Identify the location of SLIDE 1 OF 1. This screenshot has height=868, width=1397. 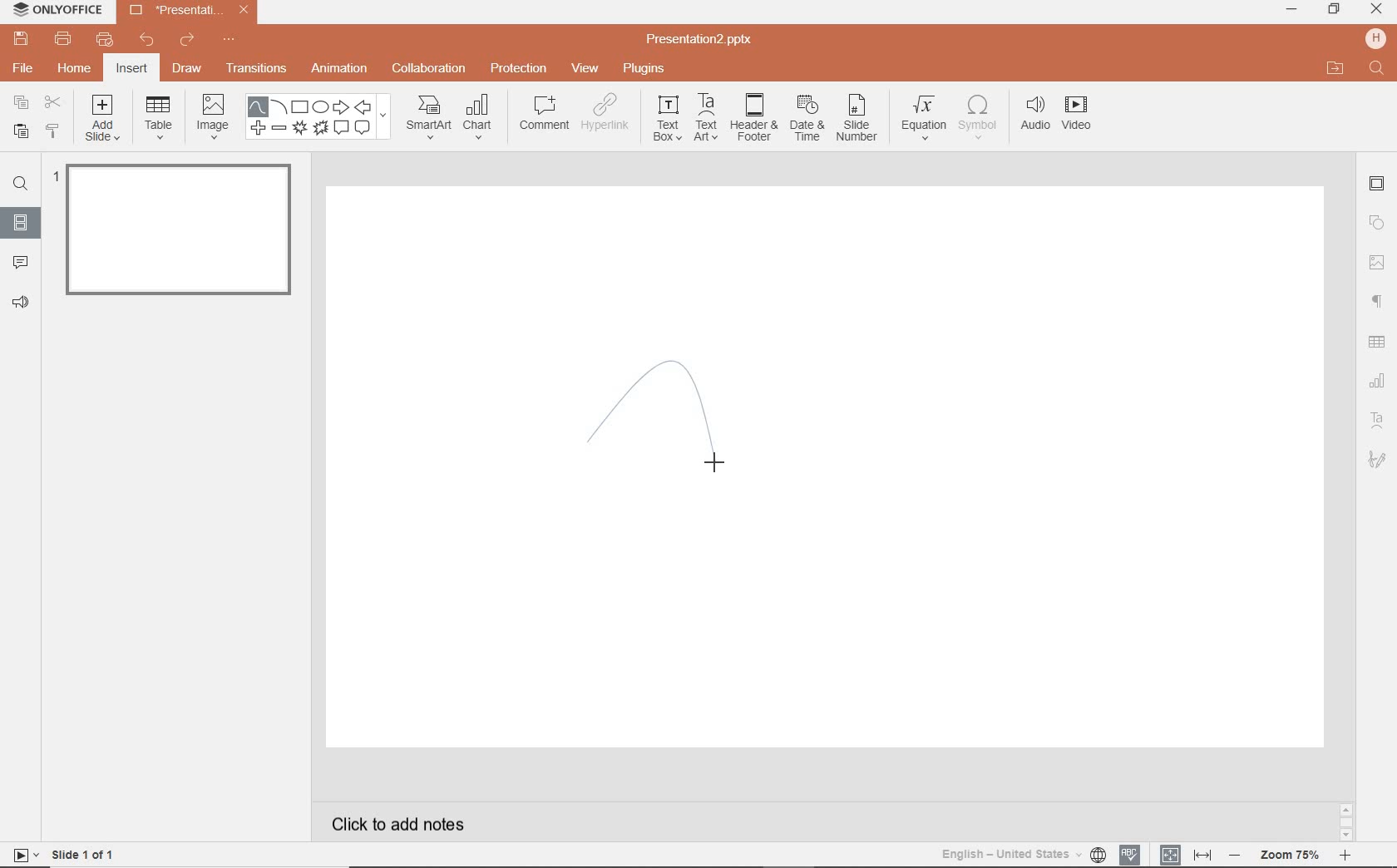
(67, 854).